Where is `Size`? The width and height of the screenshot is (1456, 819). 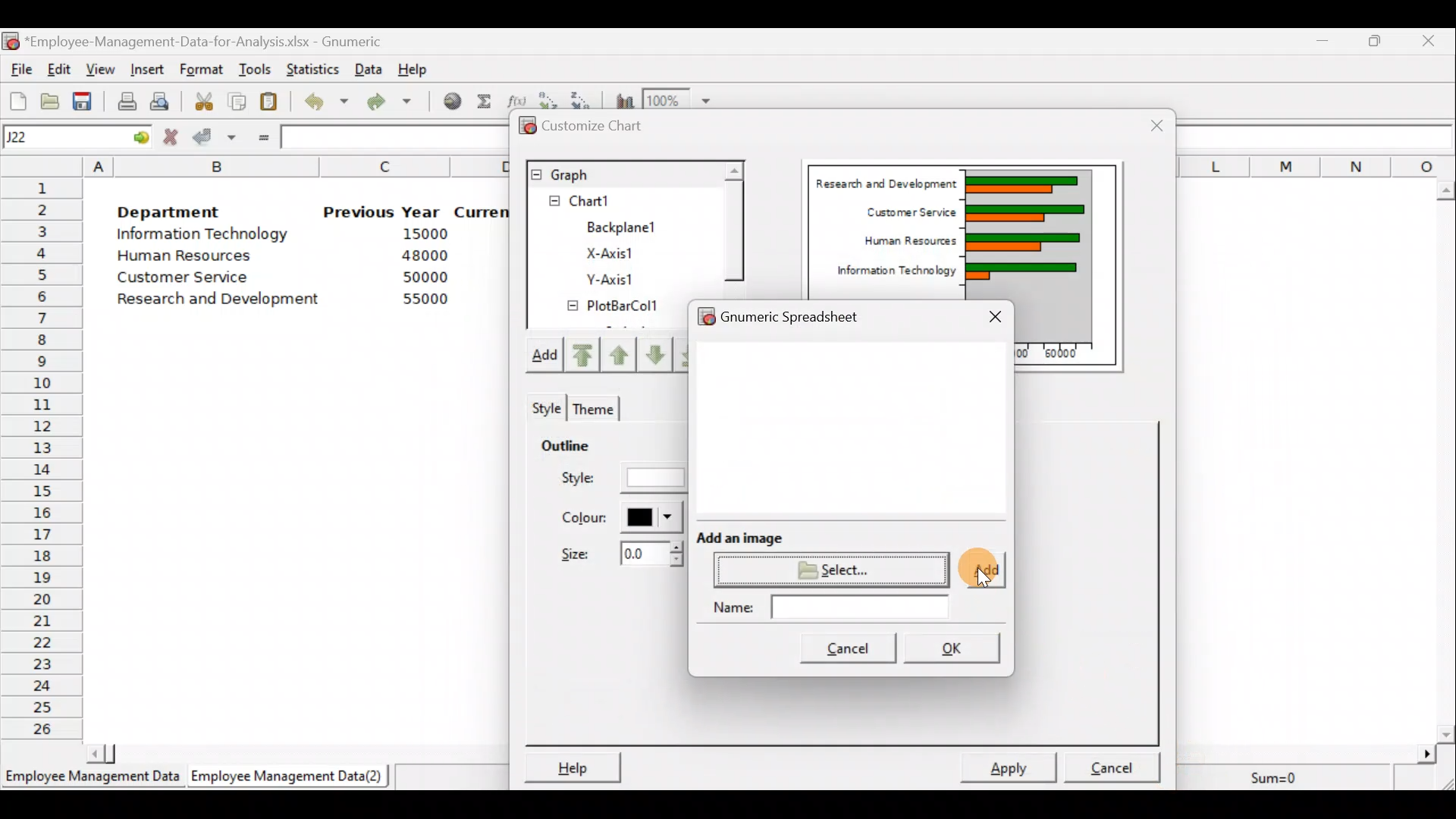
Size is located at coordinates (613, 558).